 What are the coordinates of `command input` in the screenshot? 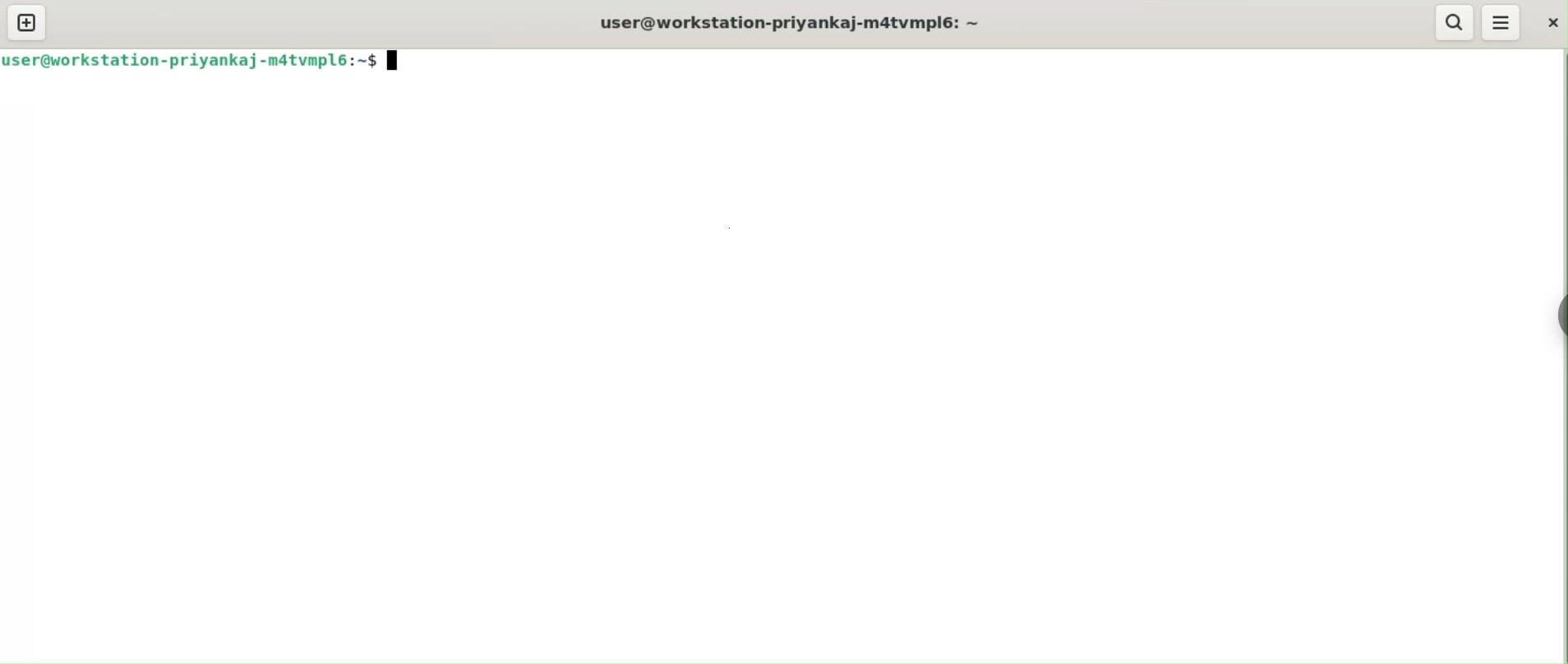 It's located at (983, 61).